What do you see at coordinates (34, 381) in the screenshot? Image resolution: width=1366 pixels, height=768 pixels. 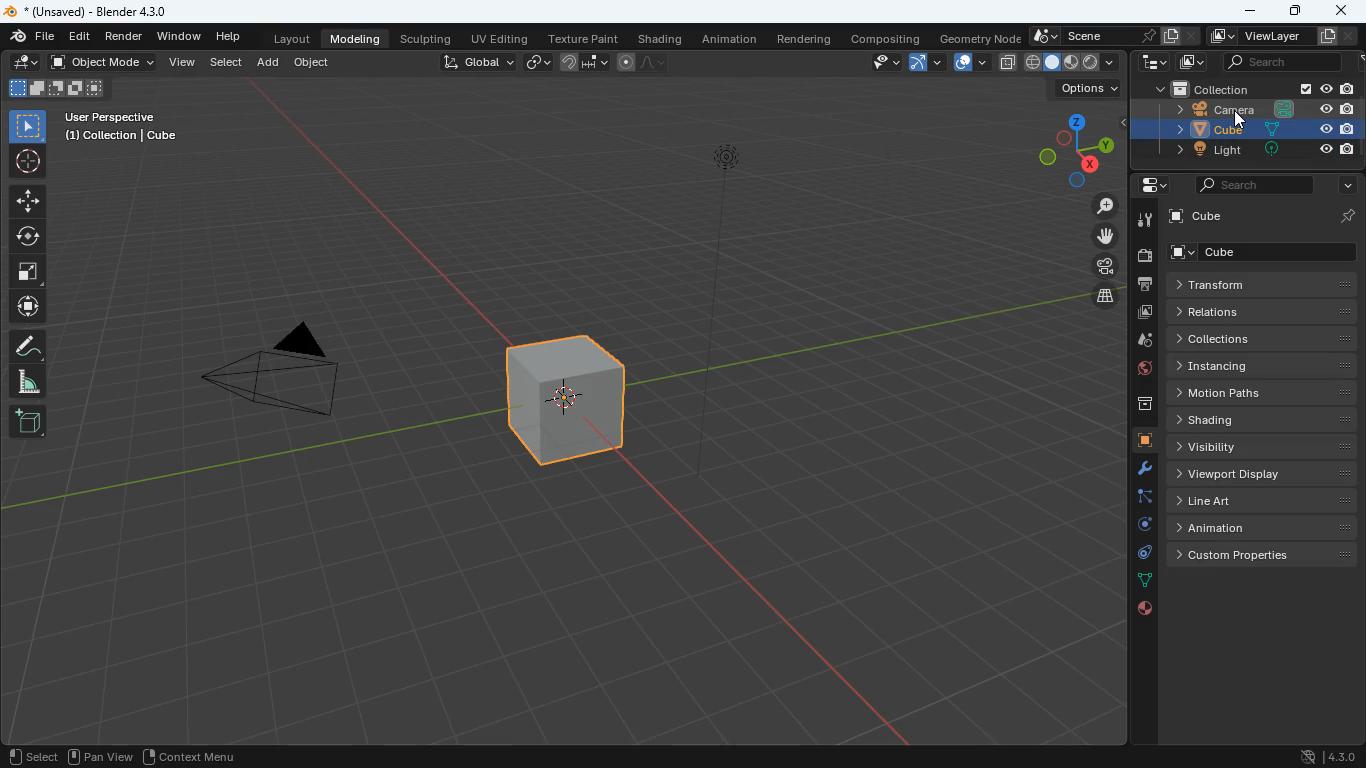 I see `angle` at bounding box center [34, 381].